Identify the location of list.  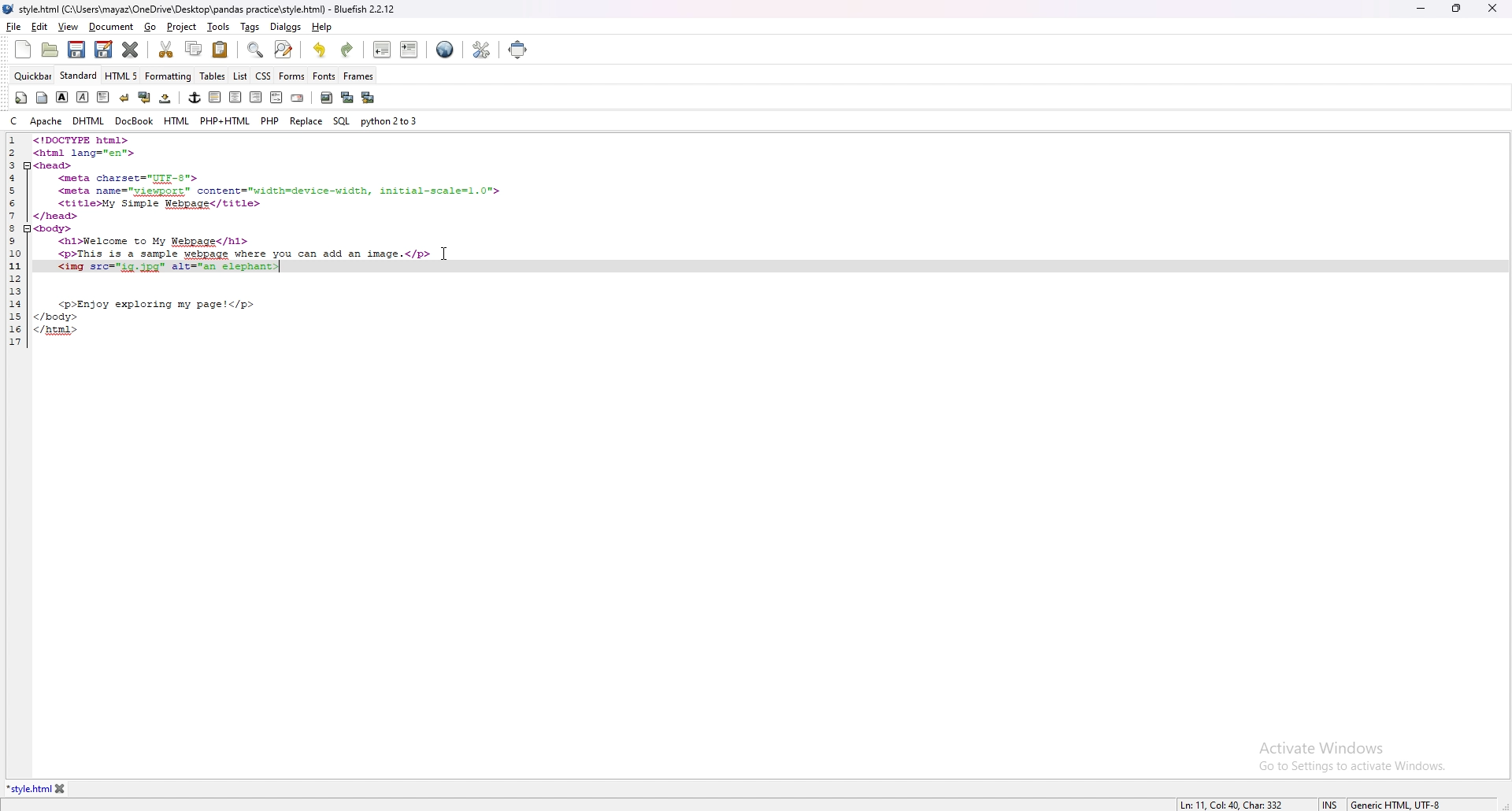
(240, 77).